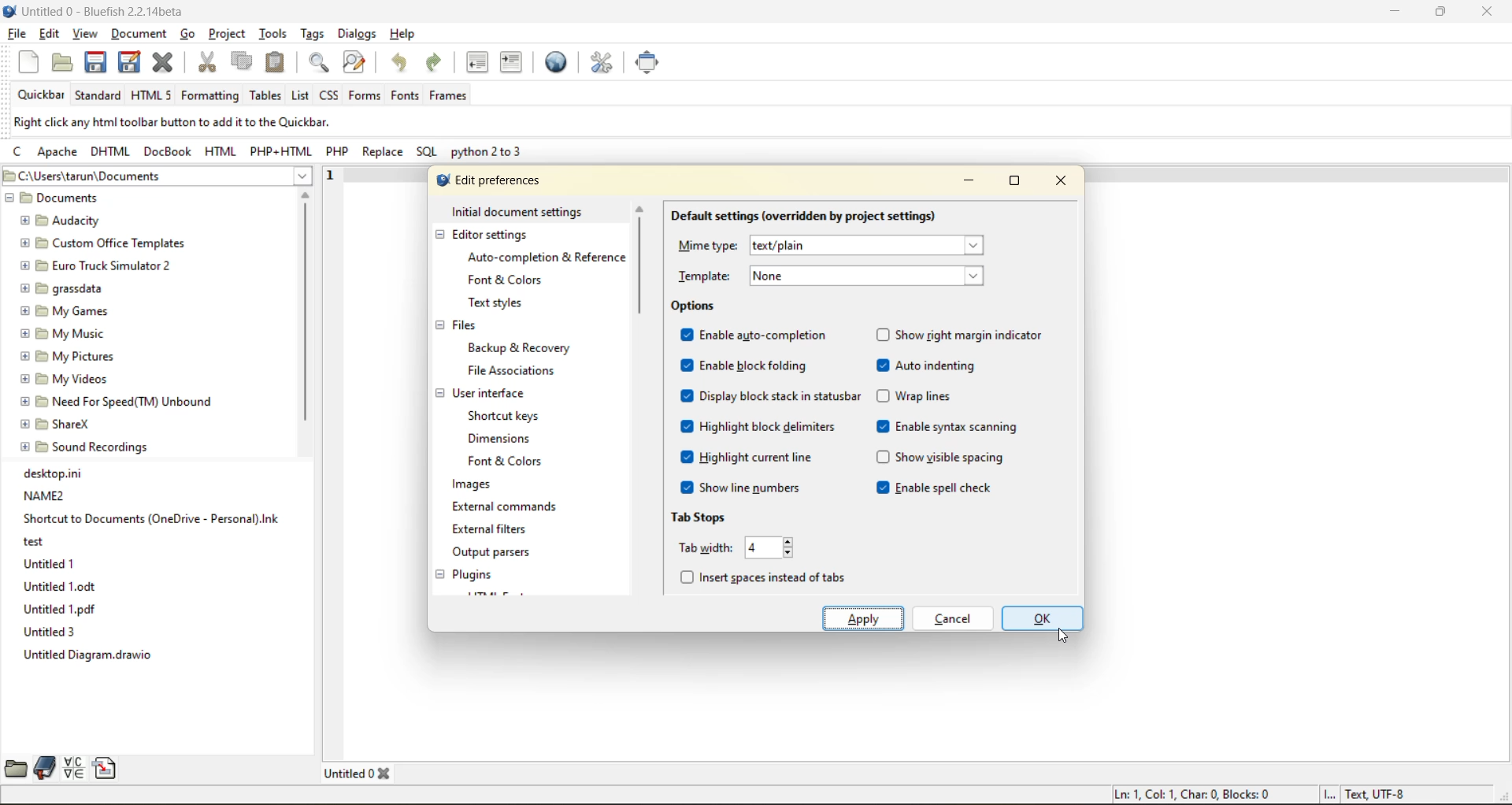 This screenshot has height=805, width=1512. I want to click on @ [E9 Sound Recordings, so click(87, 447).